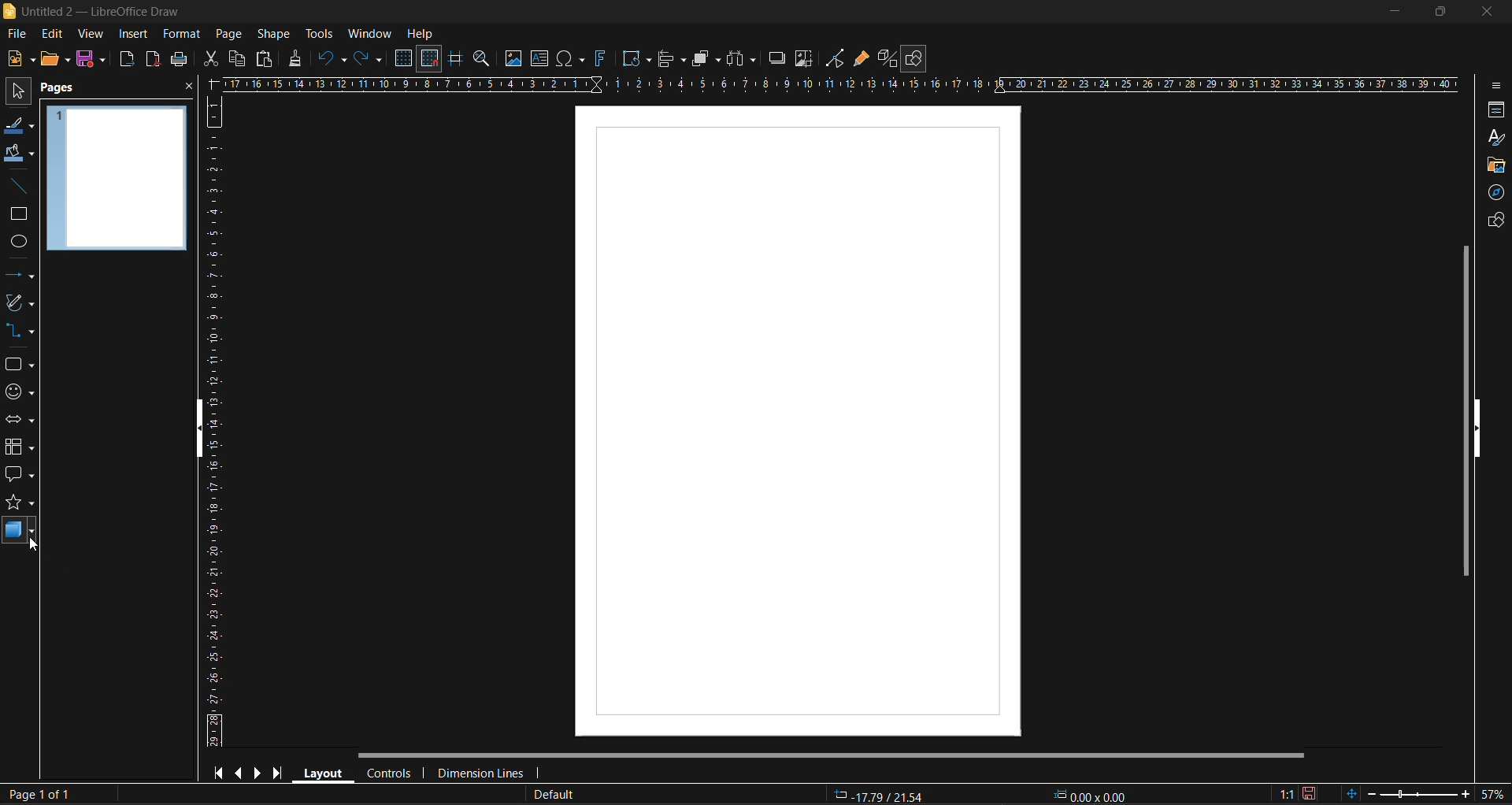  I want to click on vertical ruler, so click(215, 421).